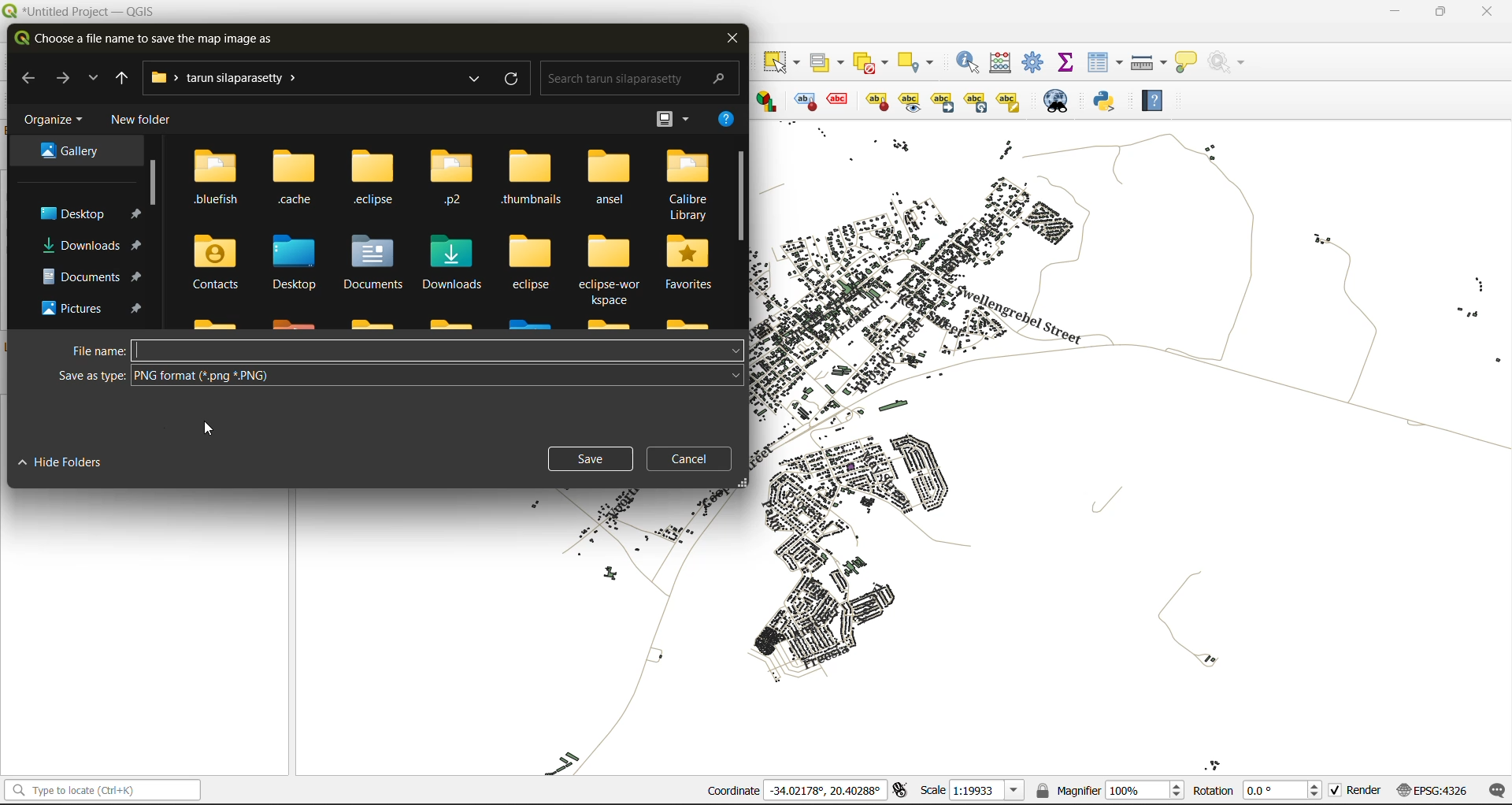 Image resolution: width=1512 pixels, height=805 pixels. Describe the element at coordinates (877, 61) in the screenshot. I see `deselect value` at that location.